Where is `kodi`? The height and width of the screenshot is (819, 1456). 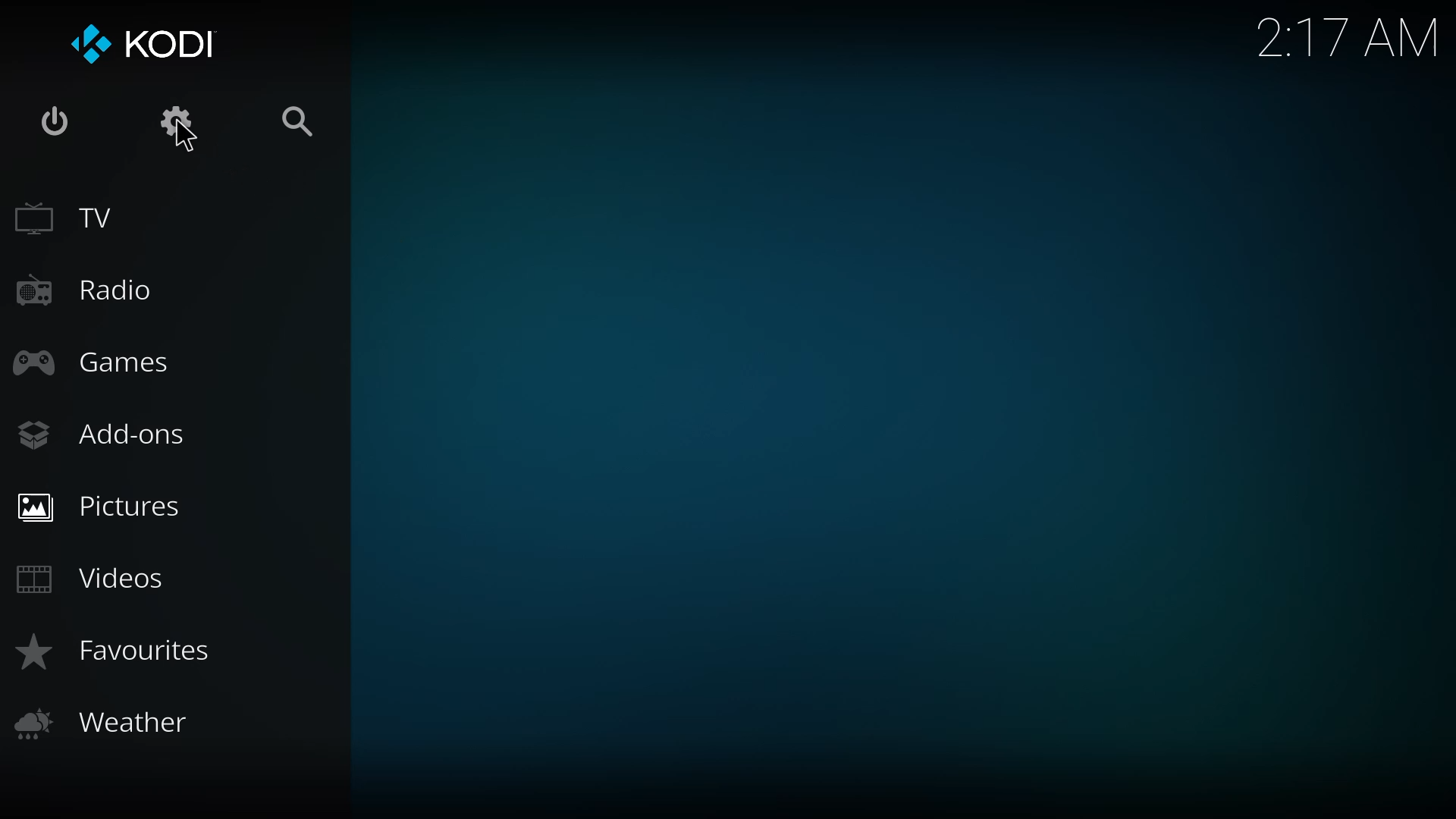
kodi is located at coordinates (141, 40).